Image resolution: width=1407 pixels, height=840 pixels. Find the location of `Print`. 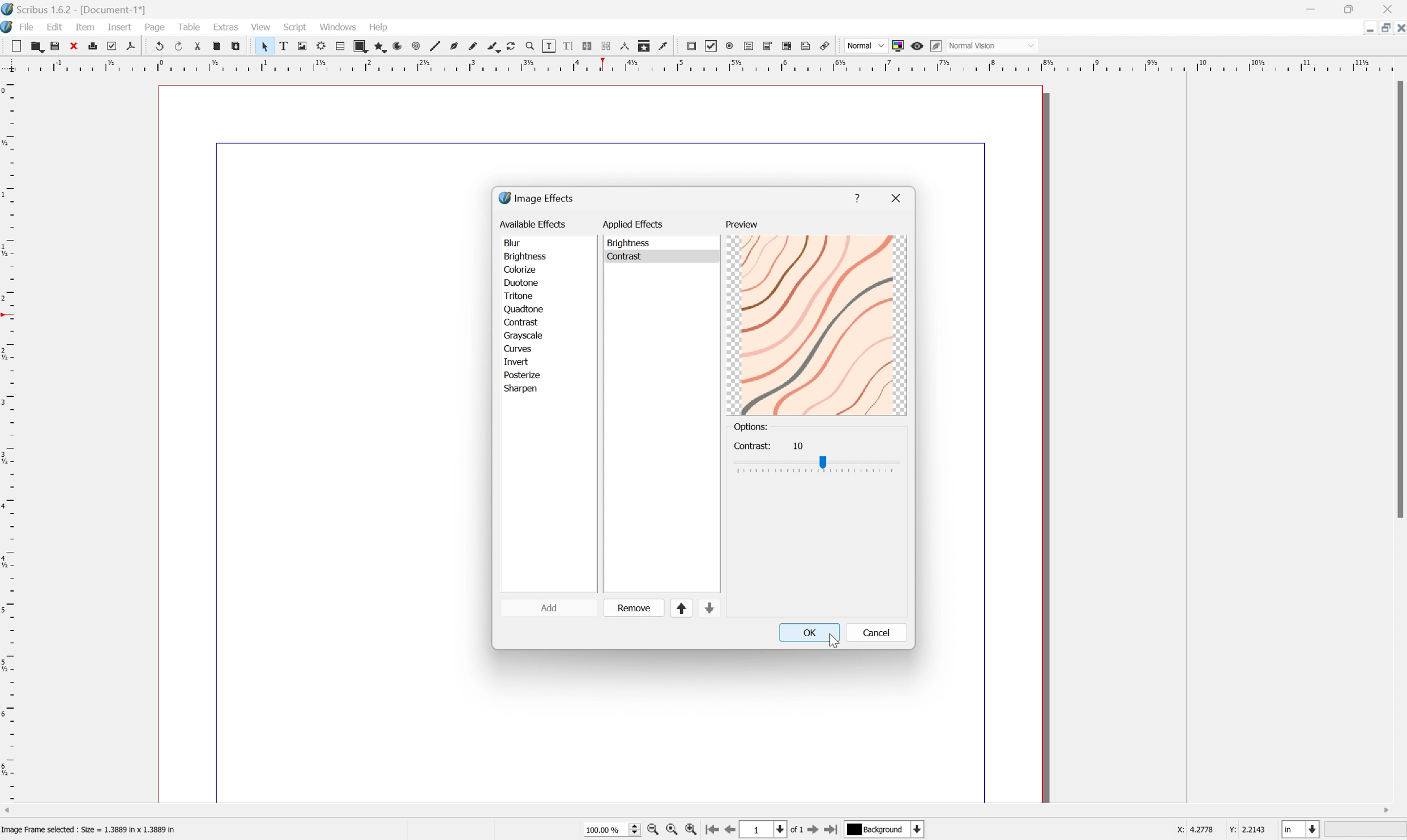

Print is located at coordinates (95, 46).